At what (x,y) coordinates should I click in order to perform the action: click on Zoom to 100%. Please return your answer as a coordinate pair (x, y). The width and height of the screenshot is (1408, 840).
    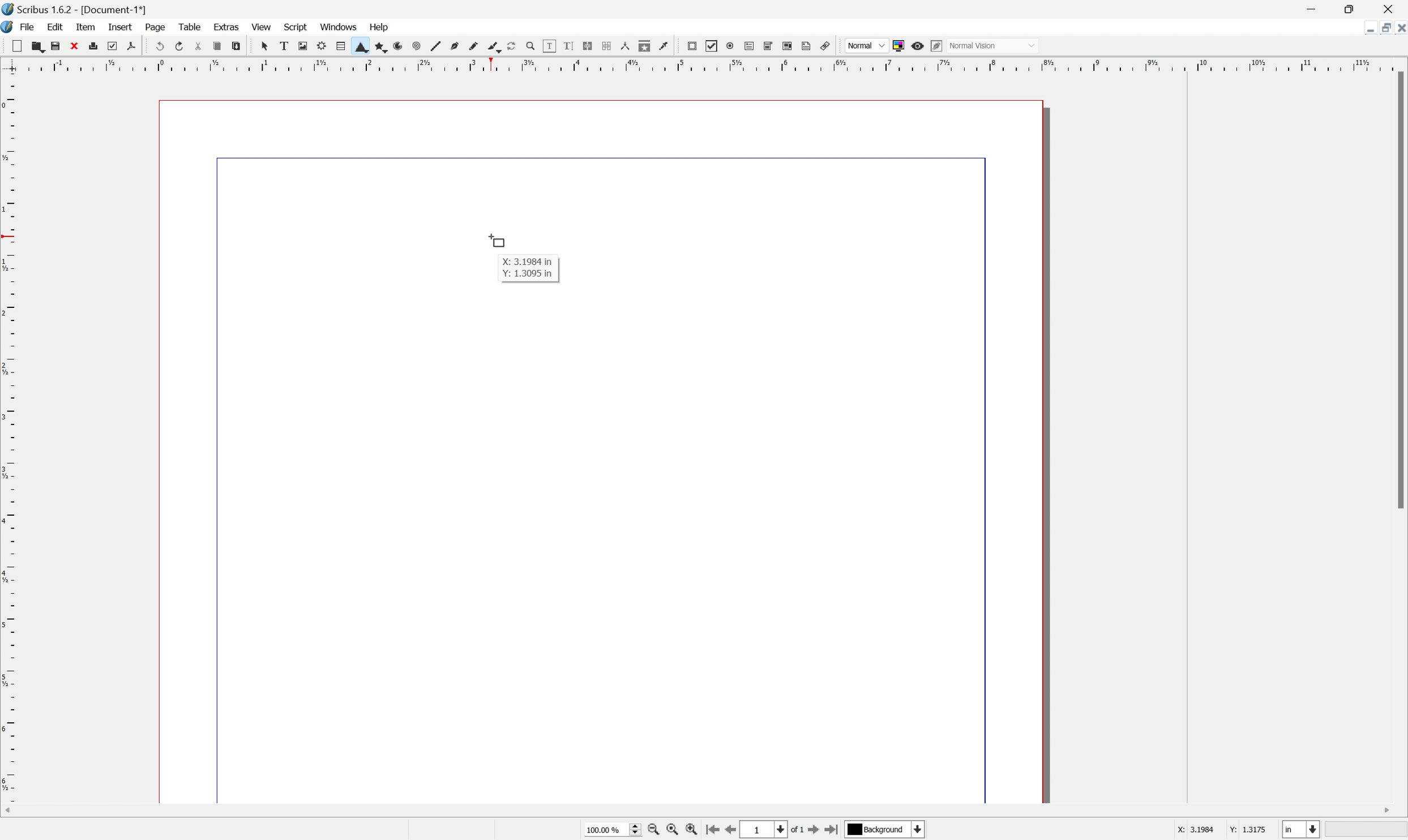
    Looking at the image, I should click on (675, 832).